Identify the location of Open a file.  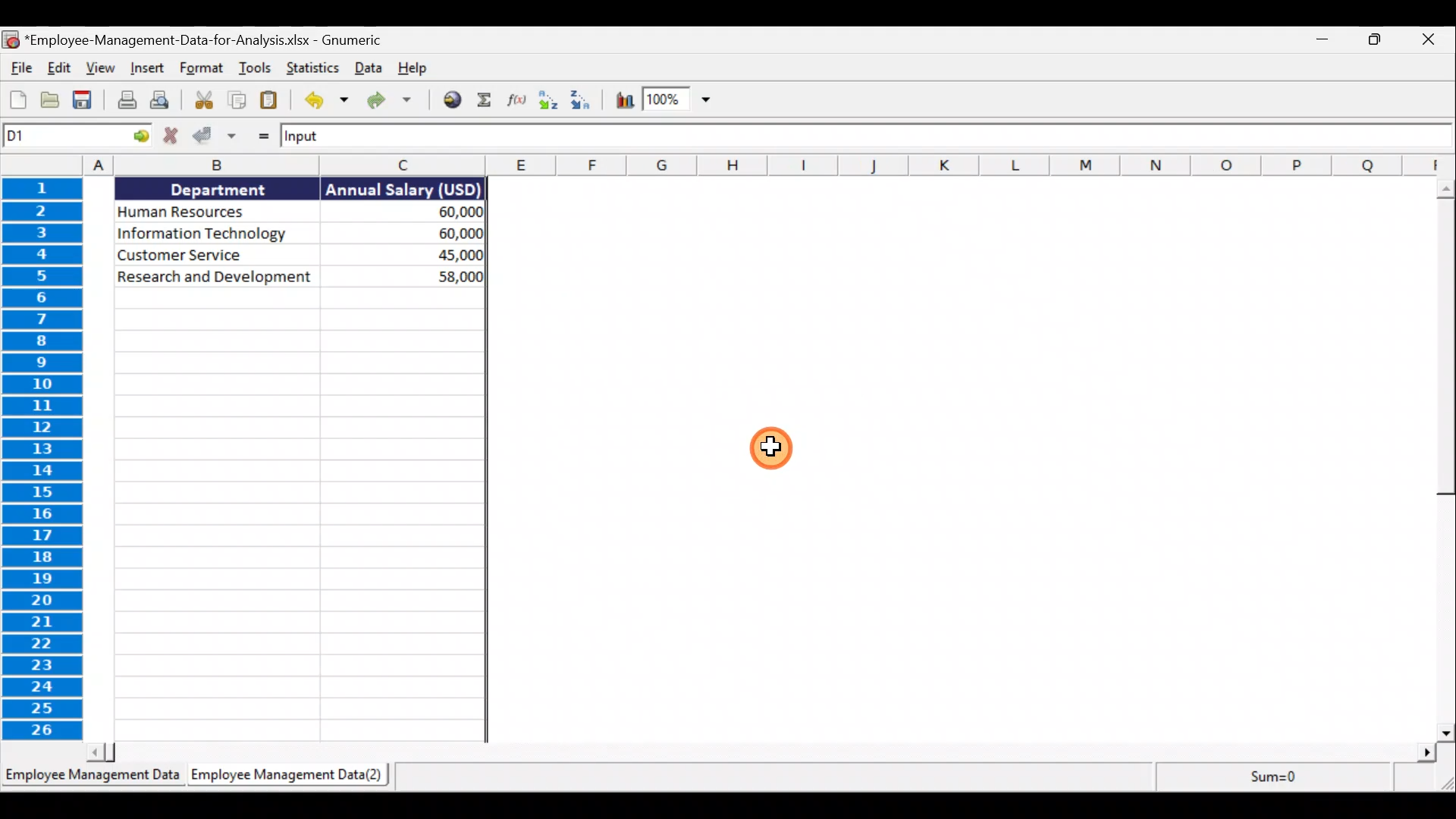
(54, 99).